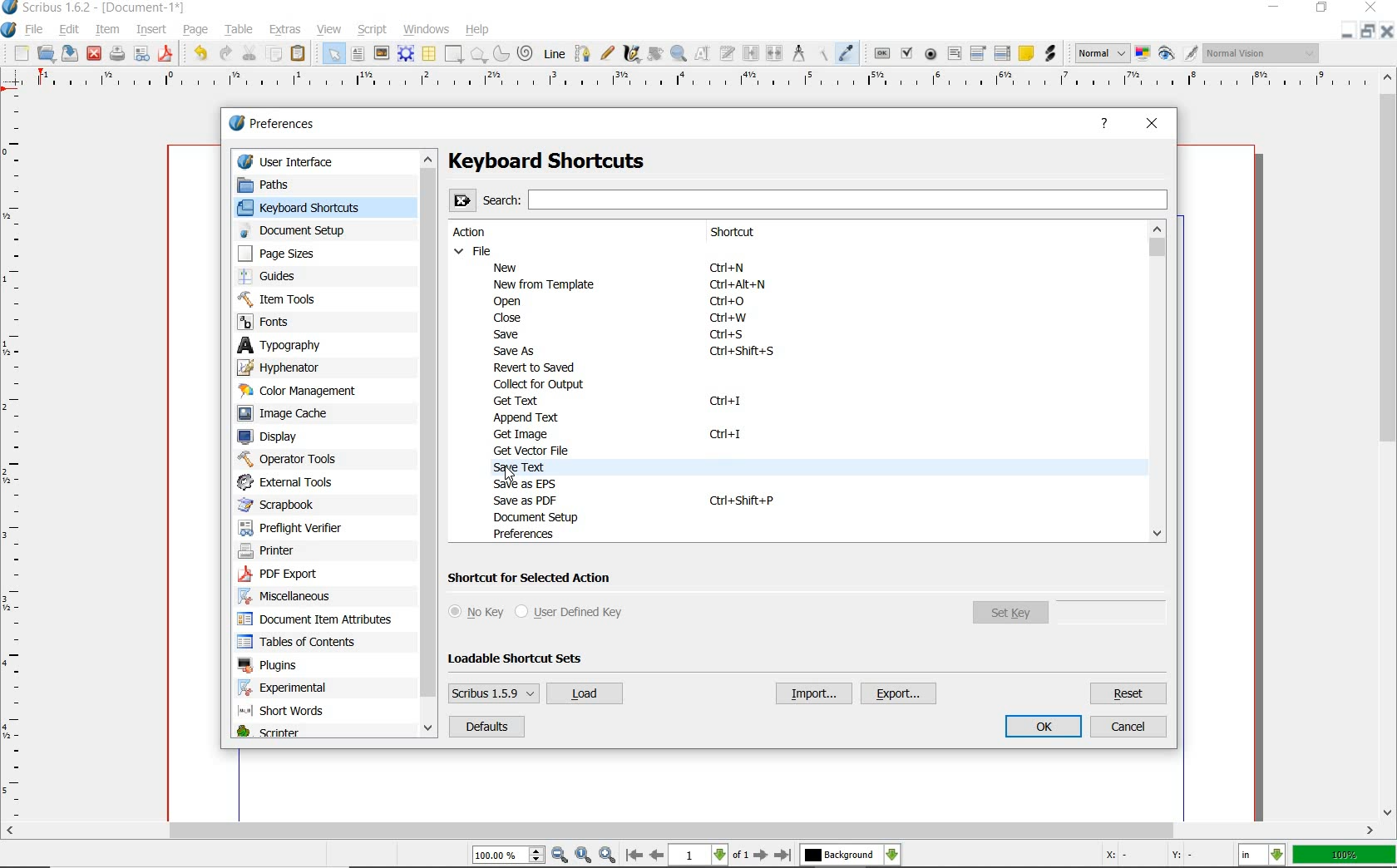 Image resolution: width=1397 pixels, height=868 pixels. I want to click on miscellaneous, so click(292, 599).